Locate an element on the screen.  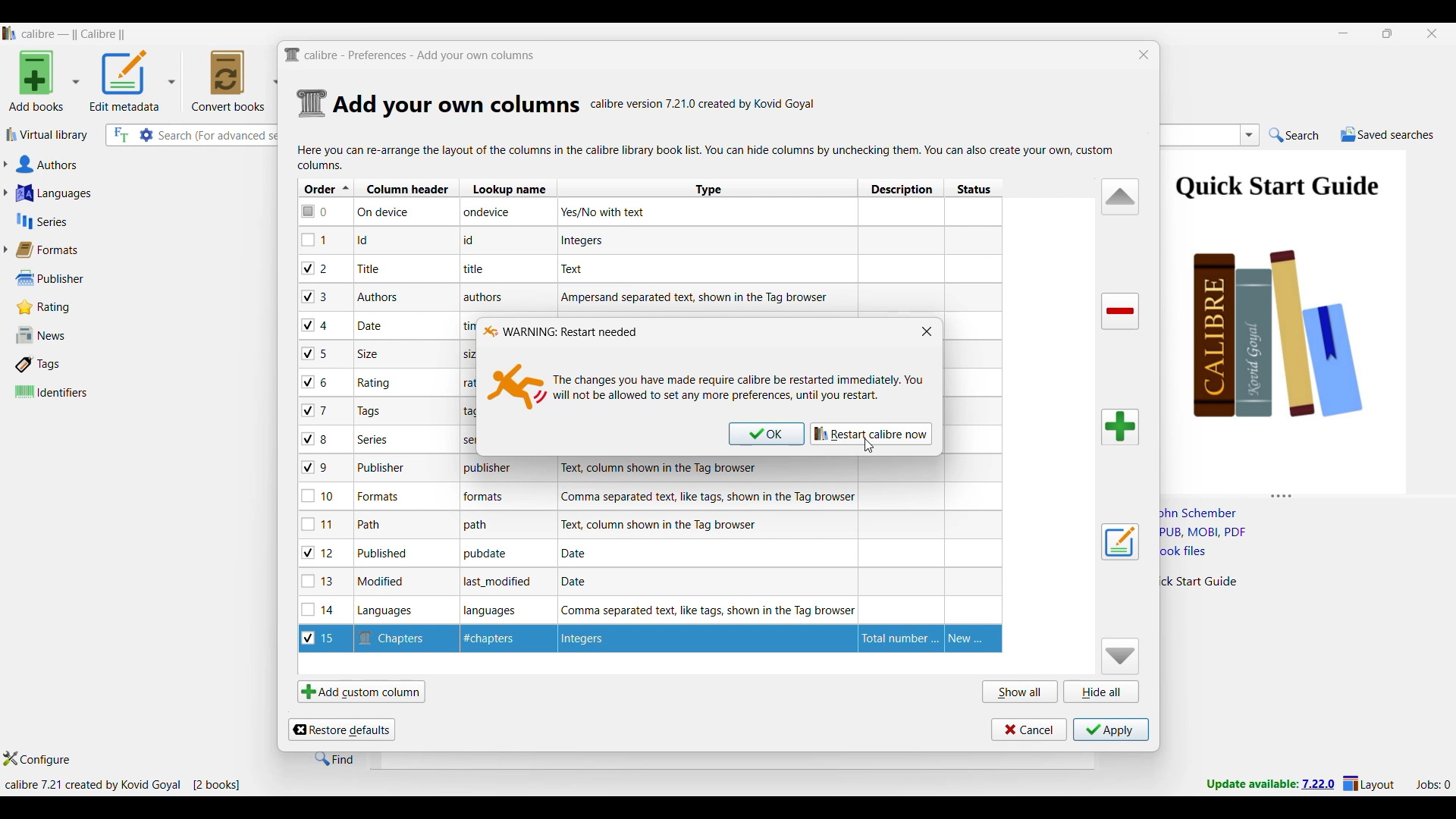
Advanced search is located at coordinates (146, 135).